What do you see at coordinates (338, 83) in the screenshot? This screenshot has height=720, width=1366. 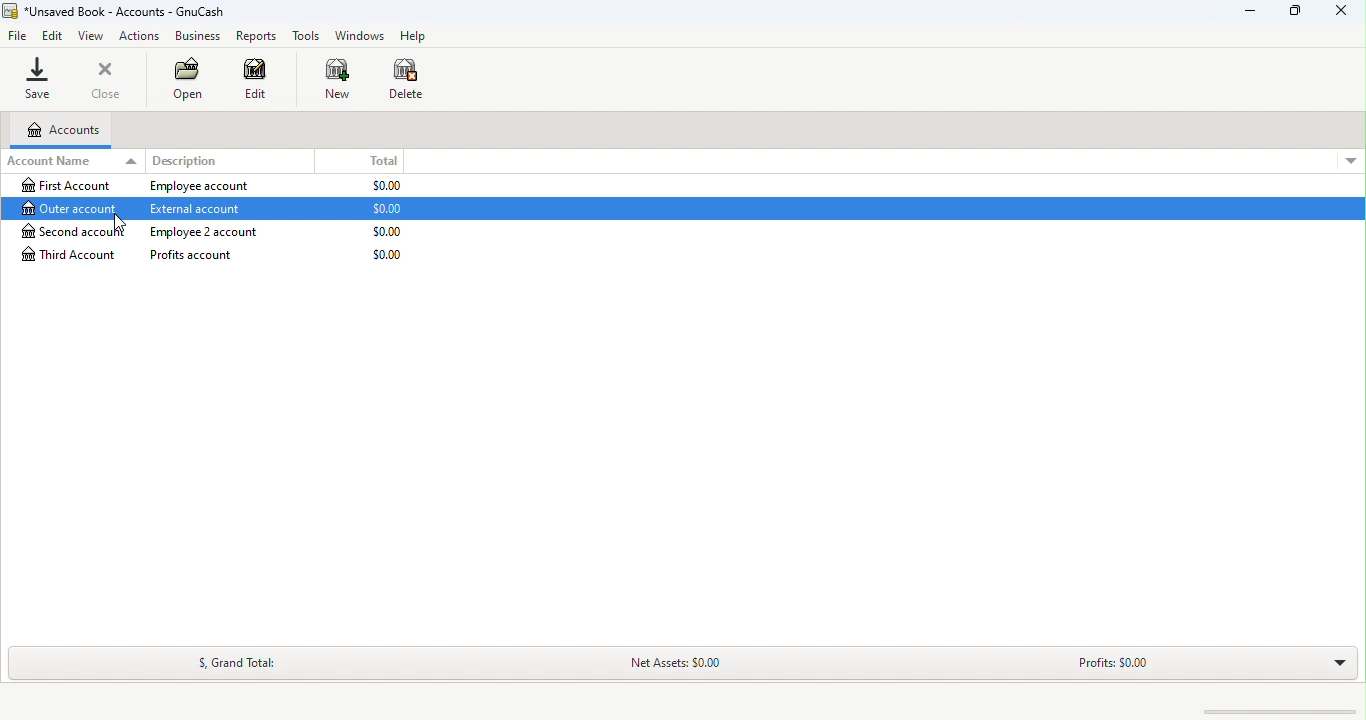 I see `New` at bounding box center [338, 83].